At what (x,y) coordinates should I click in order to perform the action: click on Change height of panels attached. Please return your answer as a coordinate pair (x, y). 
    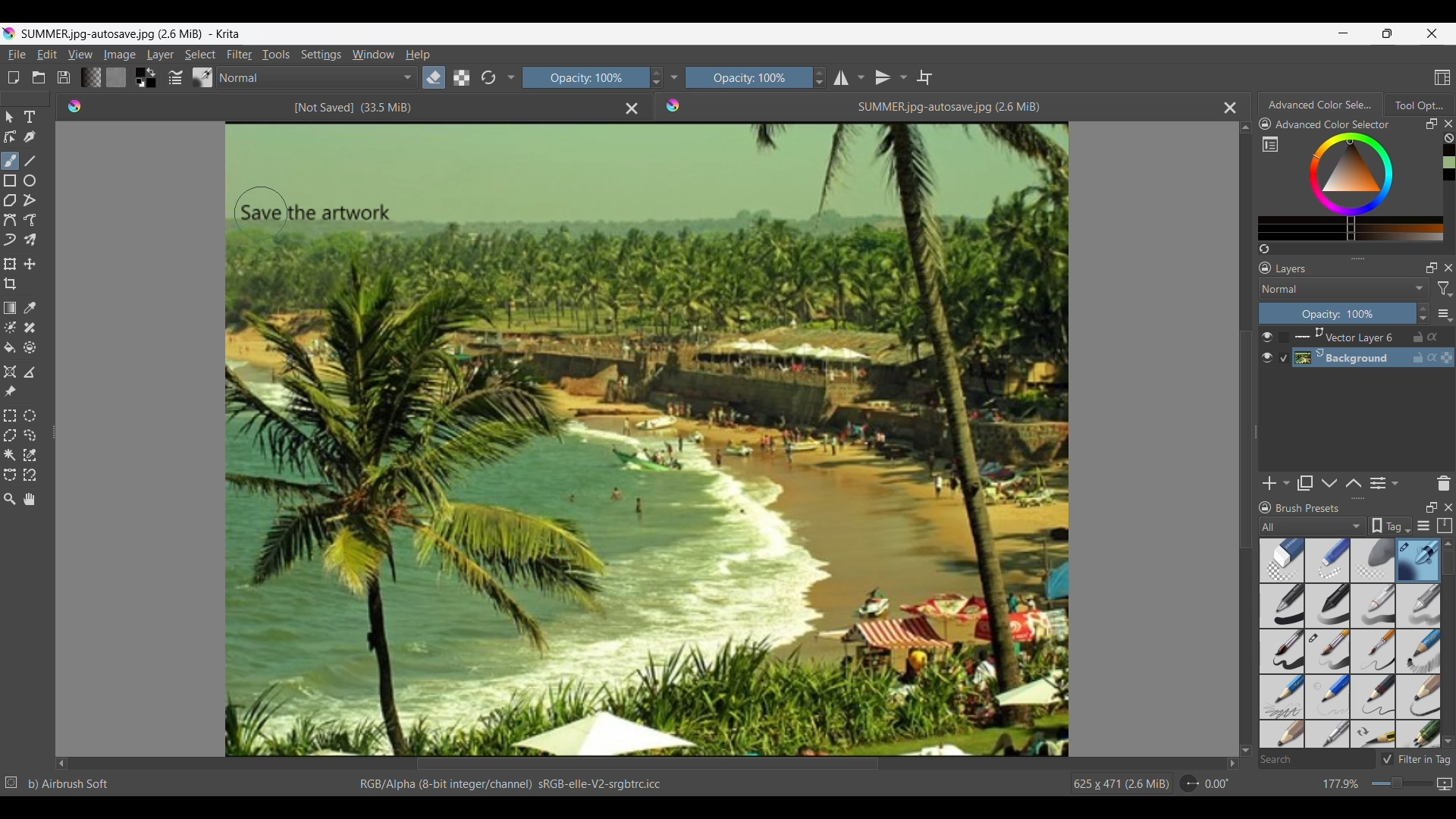
    Looking at the image, I should click on (1351, 498).